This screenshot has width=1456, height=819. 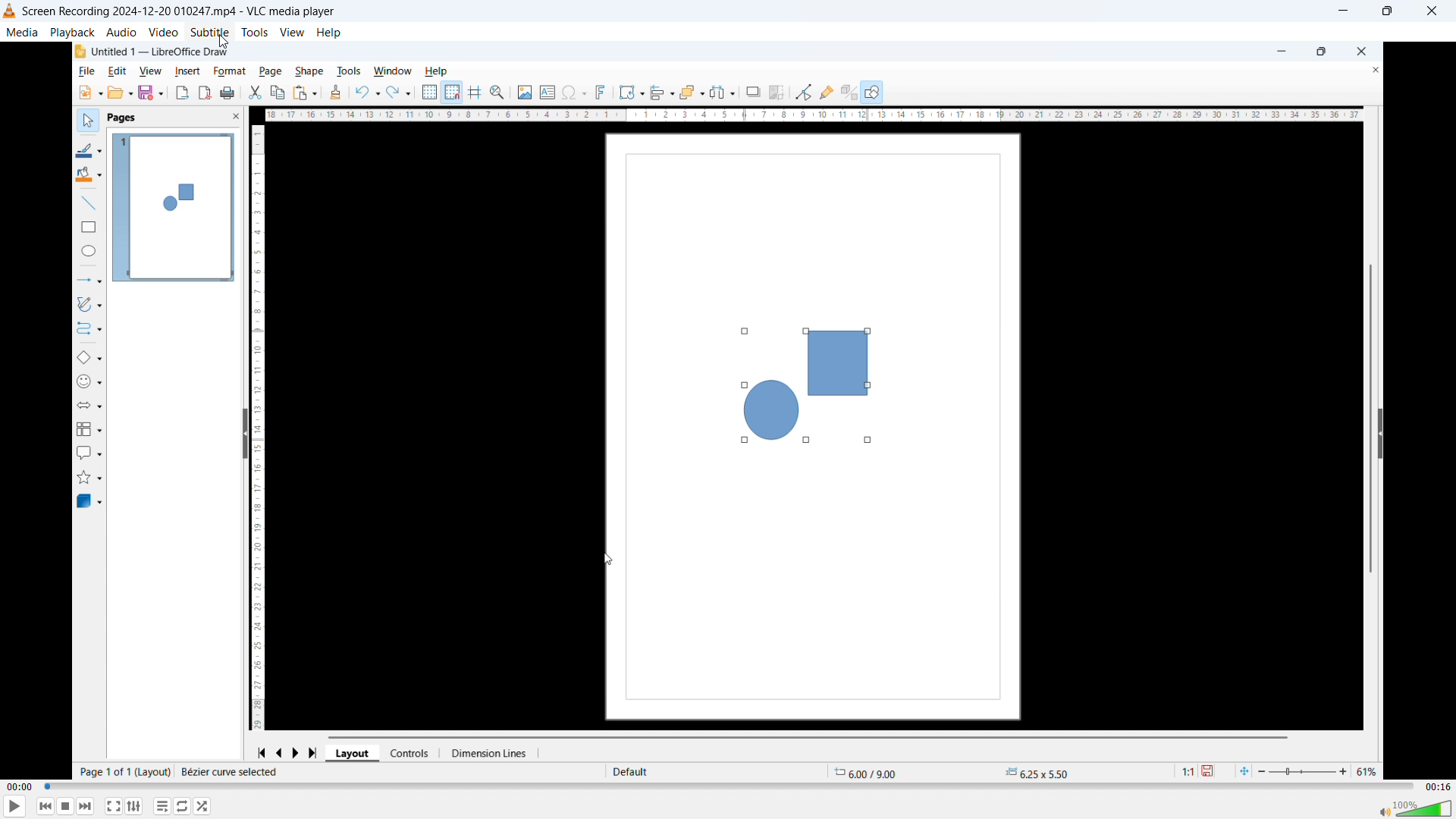 I want to click on Playback , so click(x=72, y=31).